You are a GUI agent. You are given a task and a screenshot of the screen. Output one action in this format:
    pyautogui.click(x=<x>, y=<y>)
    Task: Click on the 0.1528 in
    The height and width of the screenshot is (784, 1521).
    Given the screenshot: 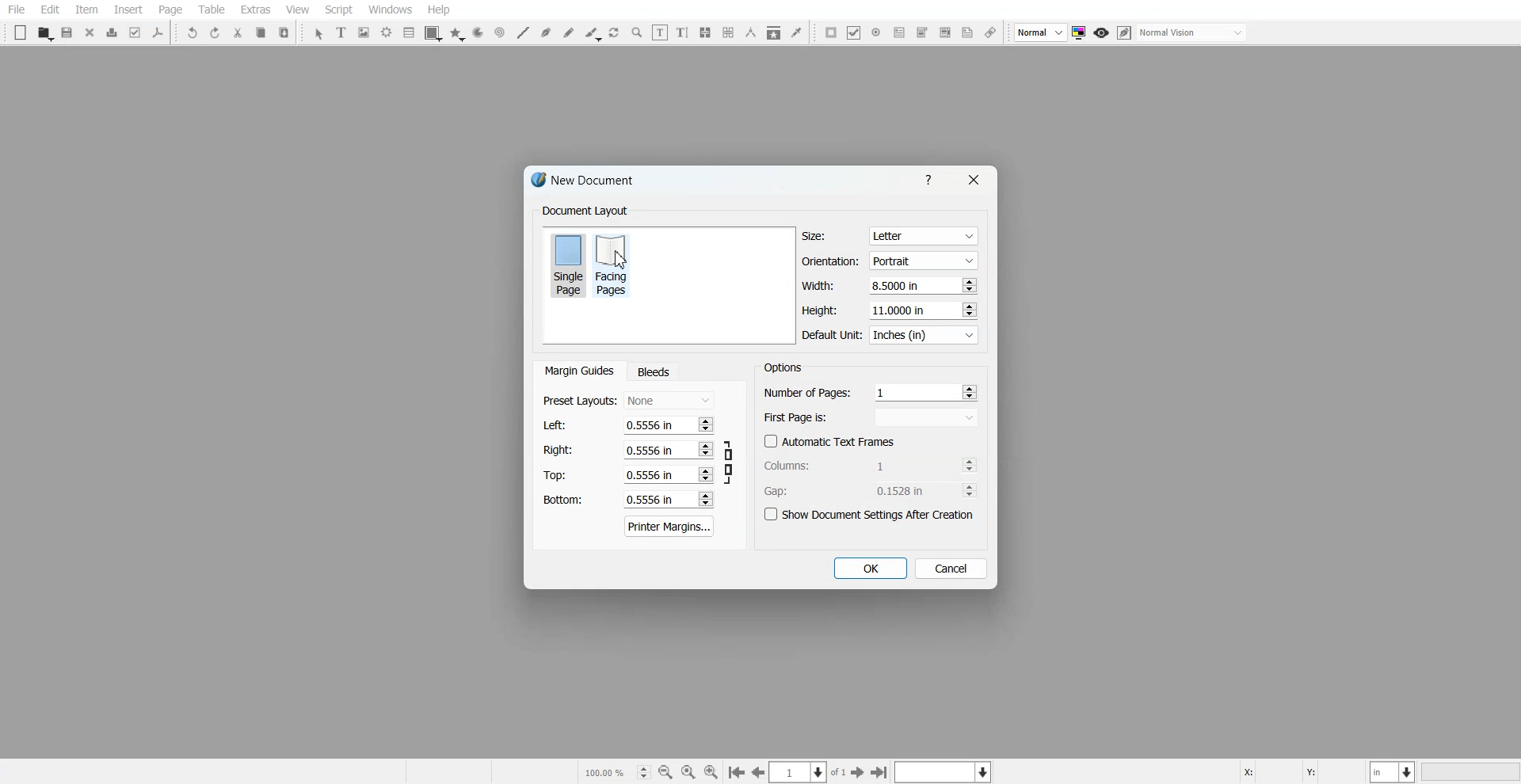 What is the action you would take?
    pyautogui.click(x=905, y=490)
    